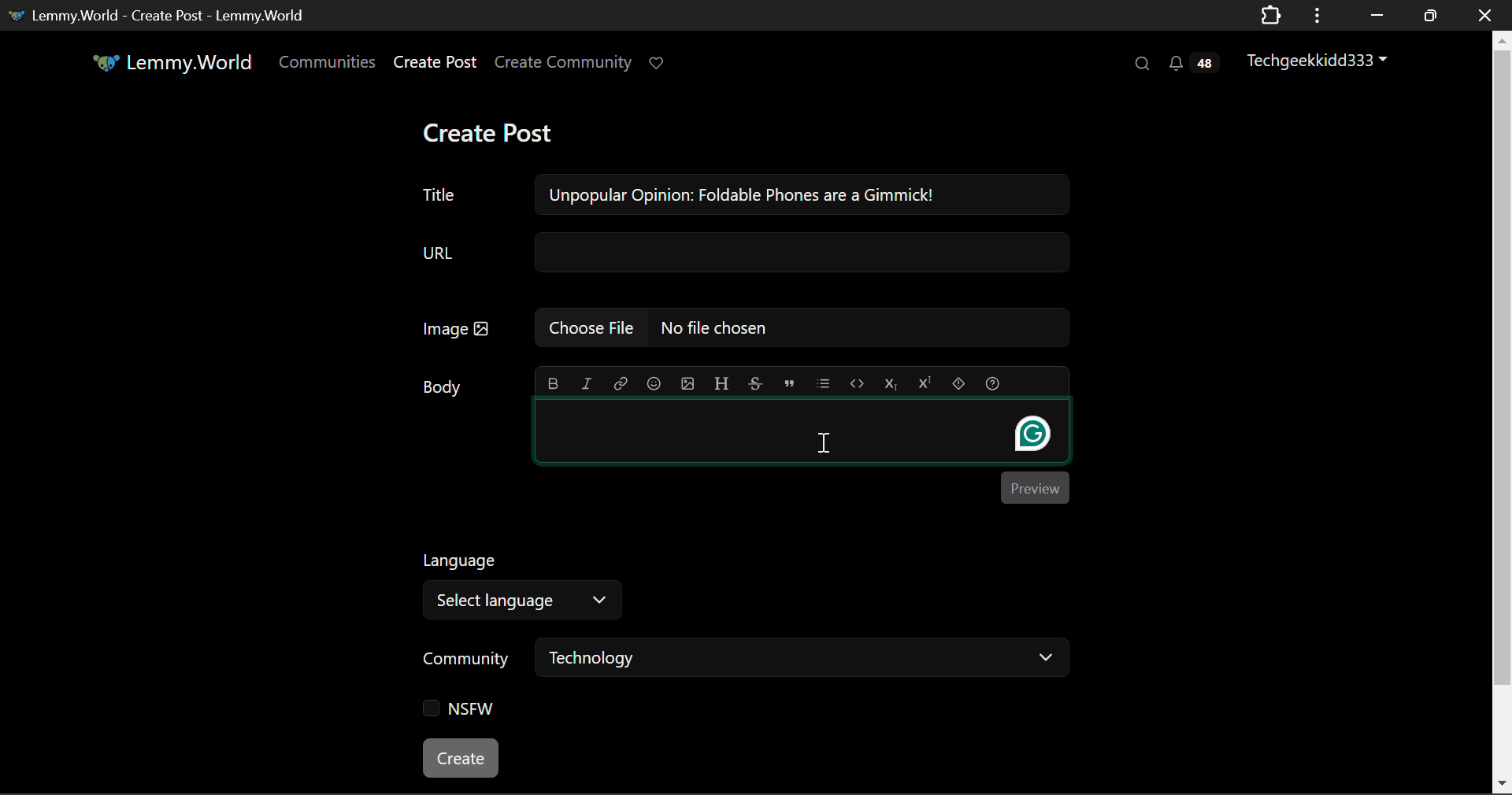 This screenshot has height=795, width=1512. I want to click on NSFW Checkbox, so click(465, 712).